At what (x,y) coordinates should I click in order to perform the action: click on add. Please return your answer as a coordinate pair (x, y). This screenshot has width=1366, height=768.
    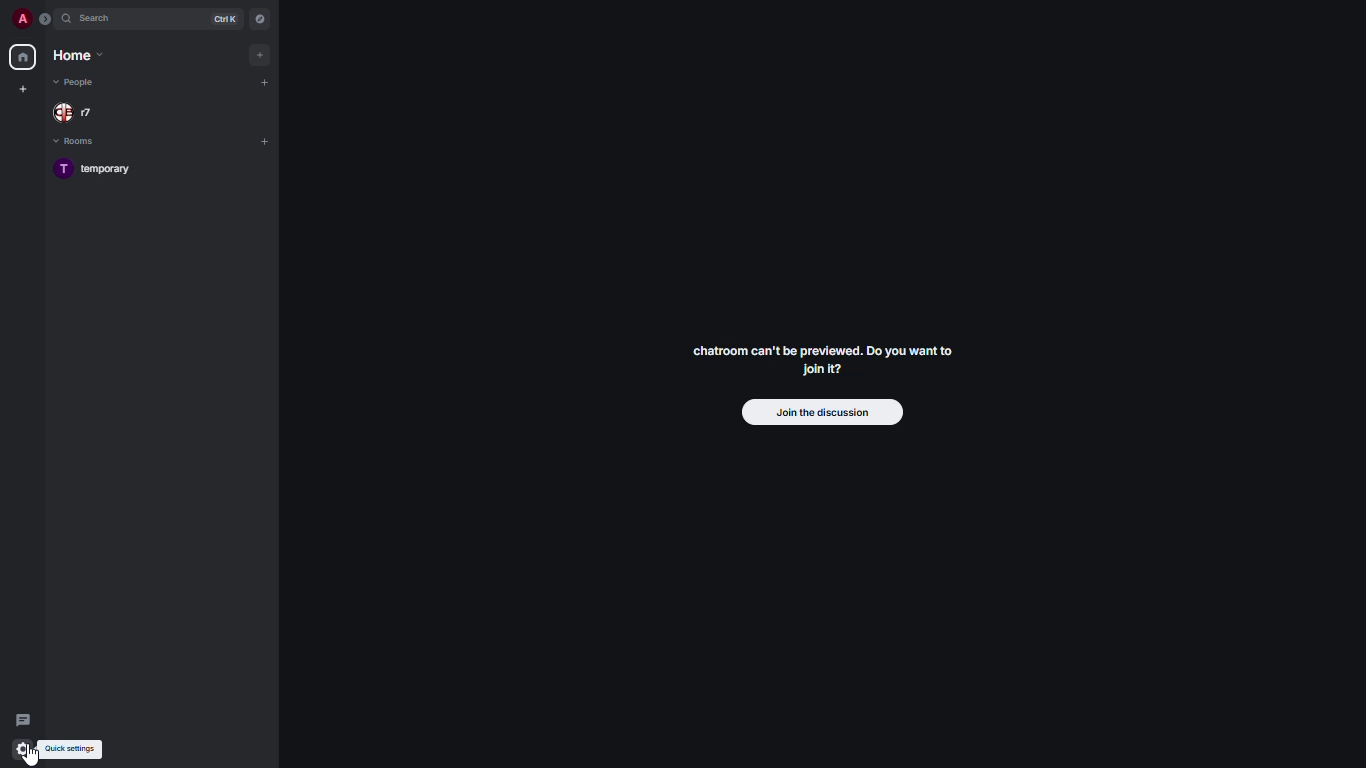
    Looking at the image, I should click on (265, 142).